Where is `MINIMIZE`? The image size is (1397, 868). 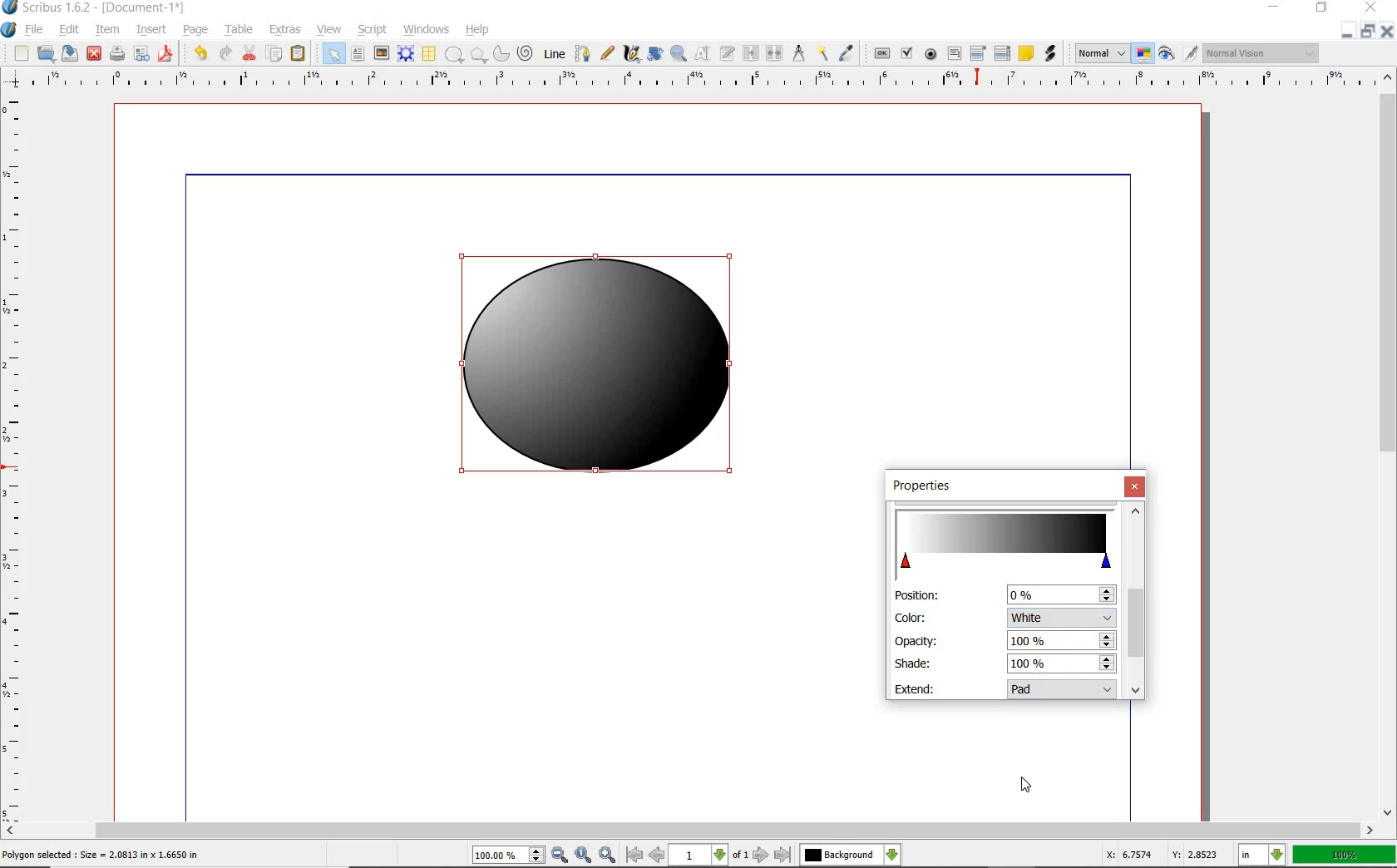
MINIMIZE is located at coordinates (1276, 6).